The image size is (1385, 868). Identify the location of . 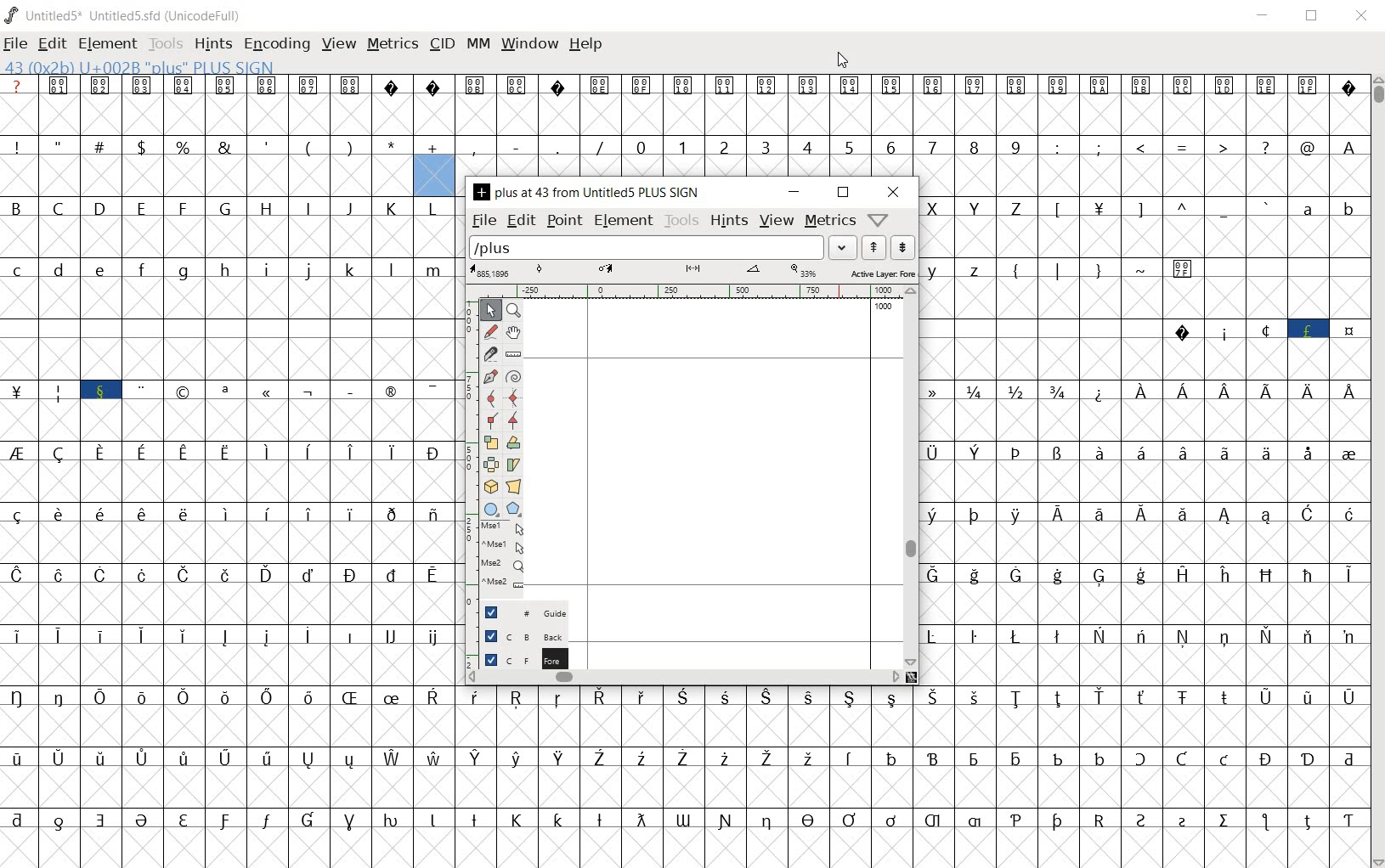
(467, 560).